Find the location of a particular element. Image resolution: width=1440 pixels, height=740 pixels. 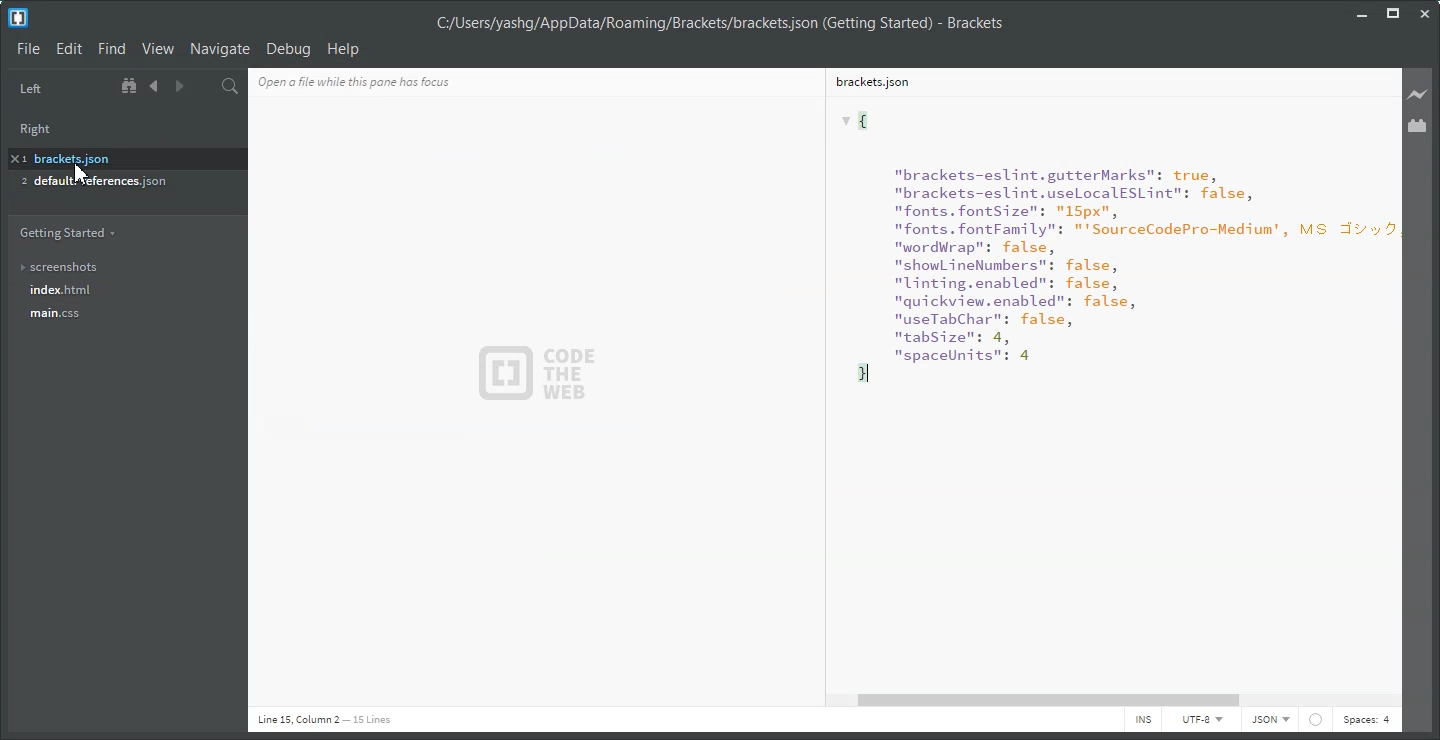

Navigate is located at coordinates (220, 48).